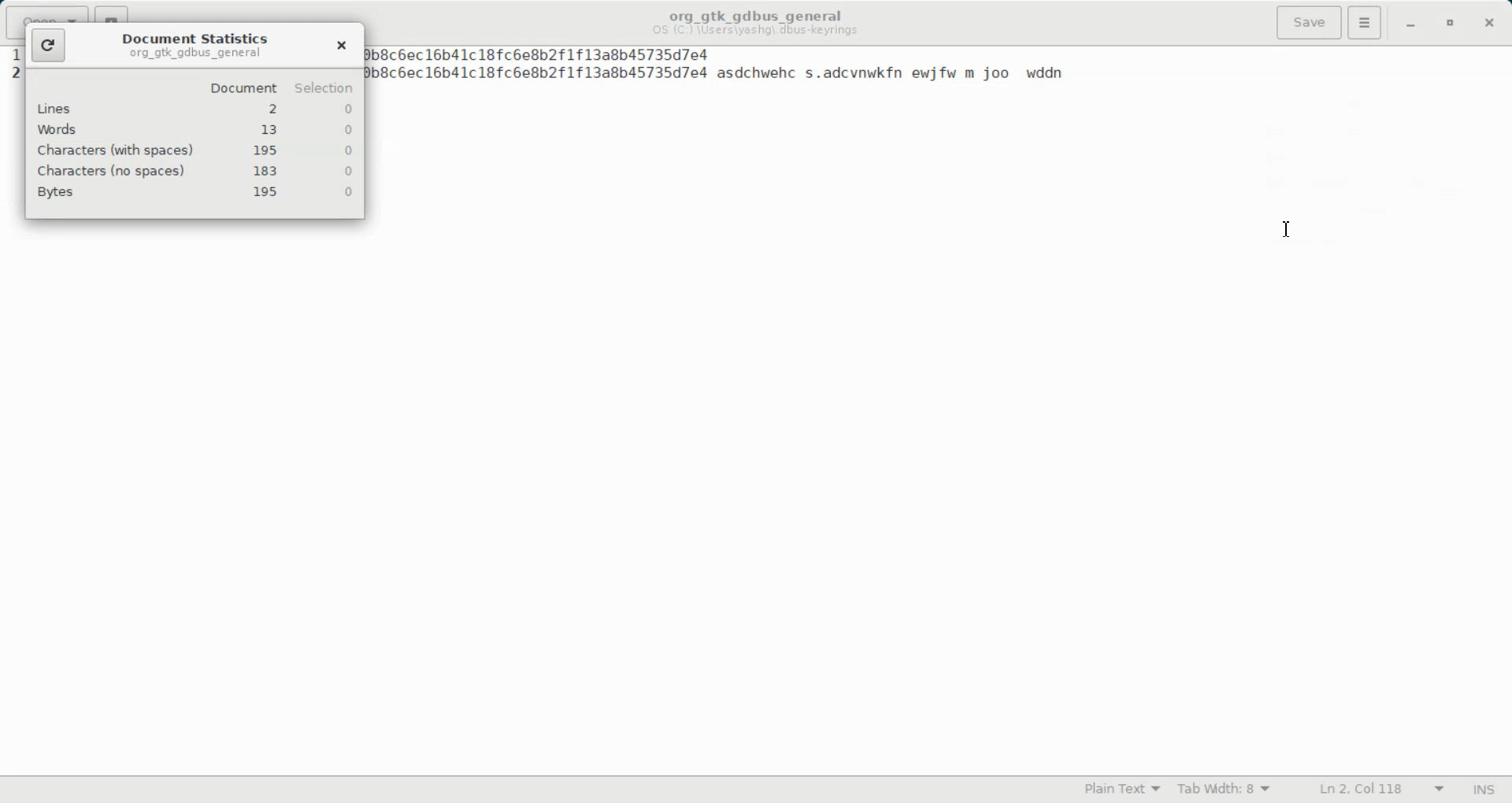 Image resolution: width=1512 pixels, height=803 pixels. What do you see at coordinates (1223, 790) in the screenshot?
I see `Tab width: 8` at bounding box center [1223, 790].